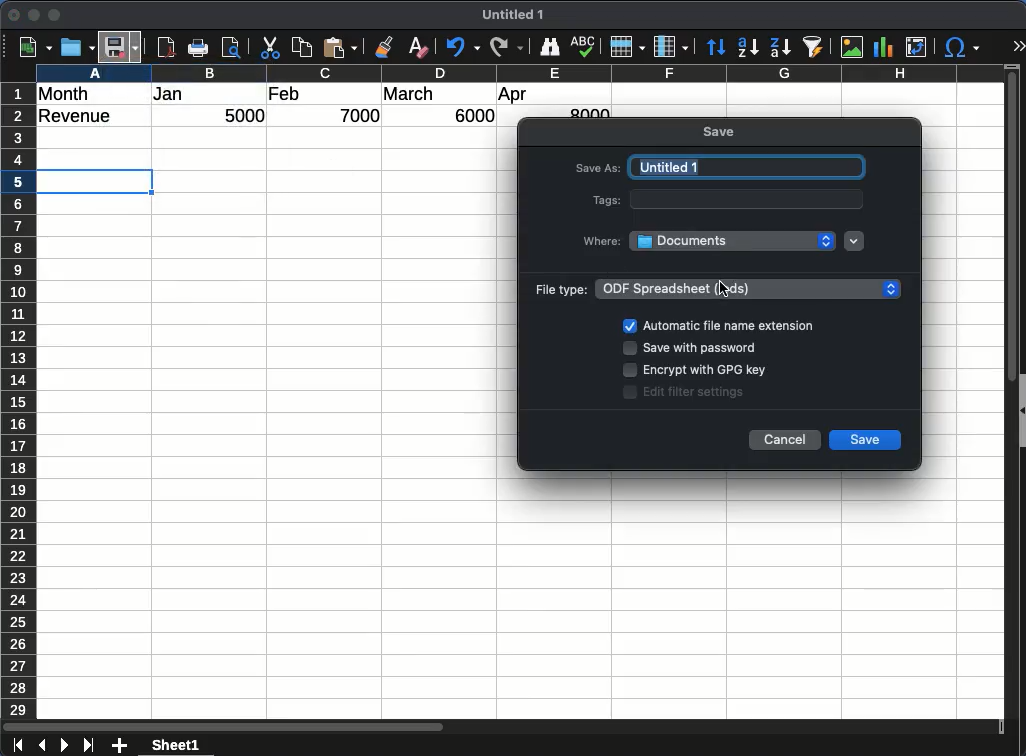 The width and height of the screenshot is (1026, 756). Describe the element at coordinates (362, 115) in the screenshot. I see `7000` at that location.